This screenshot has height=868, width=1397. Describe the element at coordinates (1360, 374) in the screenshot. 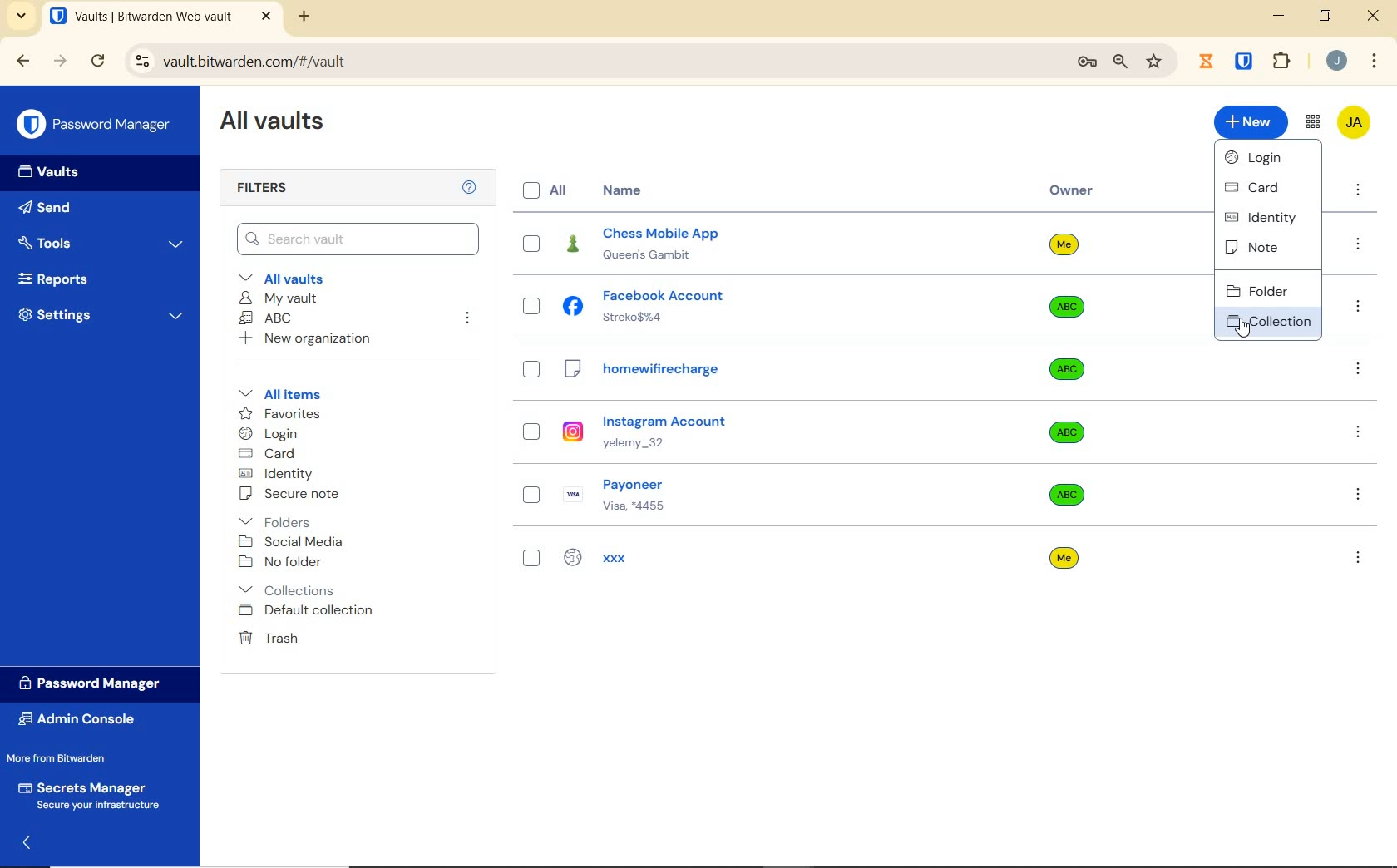

I see `more options` at that location.